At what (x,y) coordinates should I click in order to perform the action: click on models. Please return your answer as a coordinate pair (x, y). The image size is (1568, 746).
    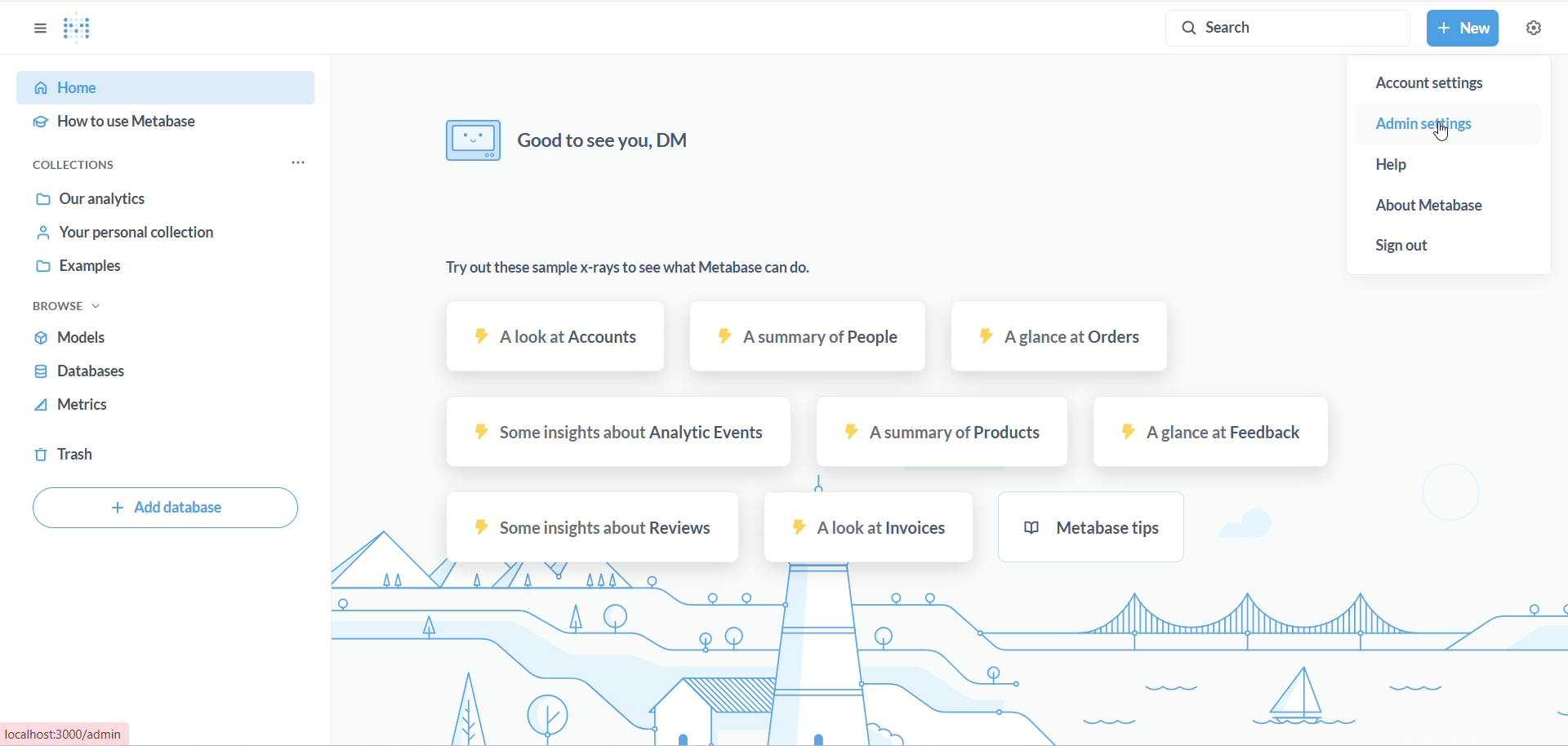
    Looking at the image, I should click on (72, 335).